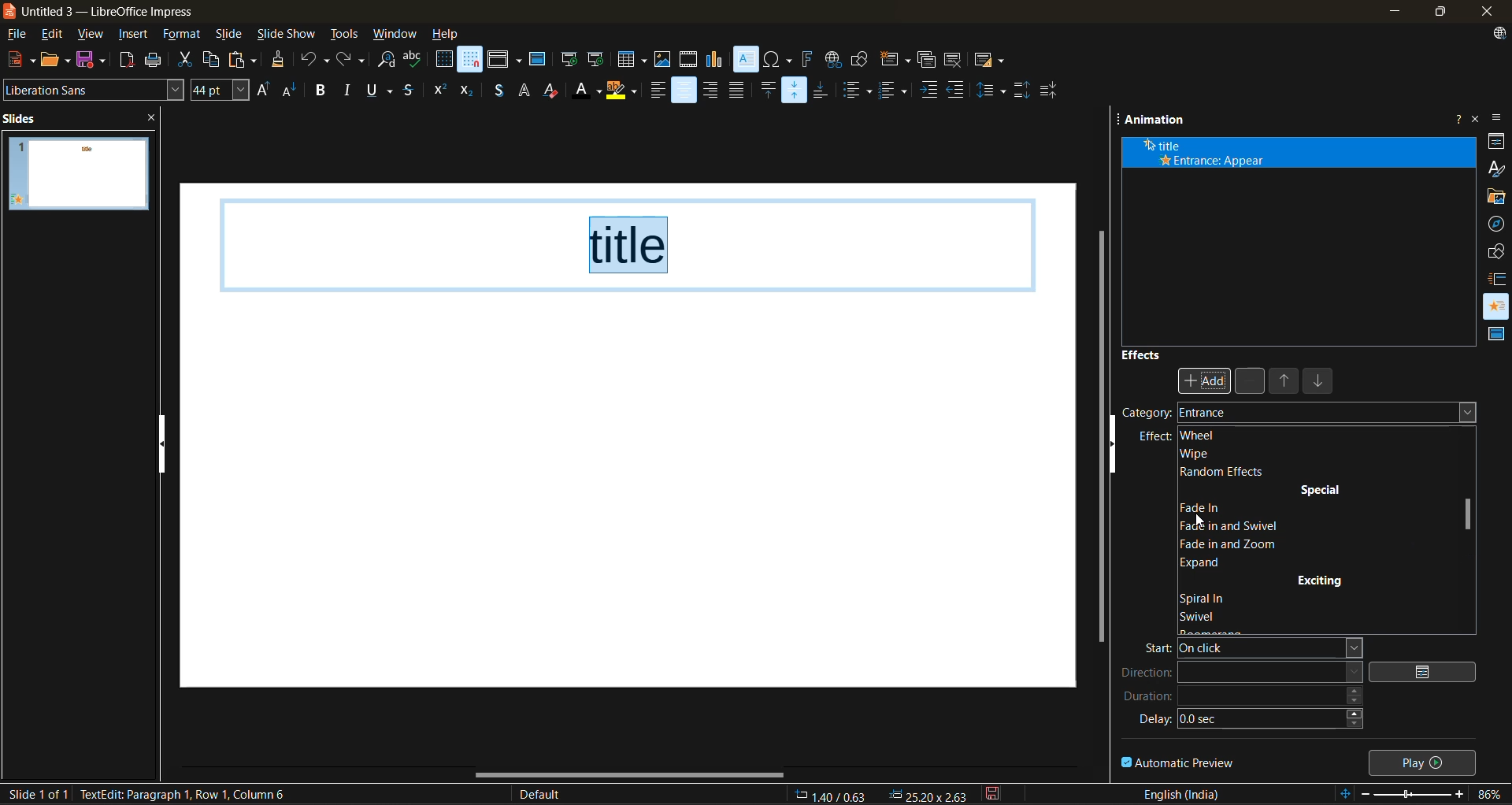 The height and width of the screenshot is (805, 1512). I want to click on display grid, so click(444, 59).